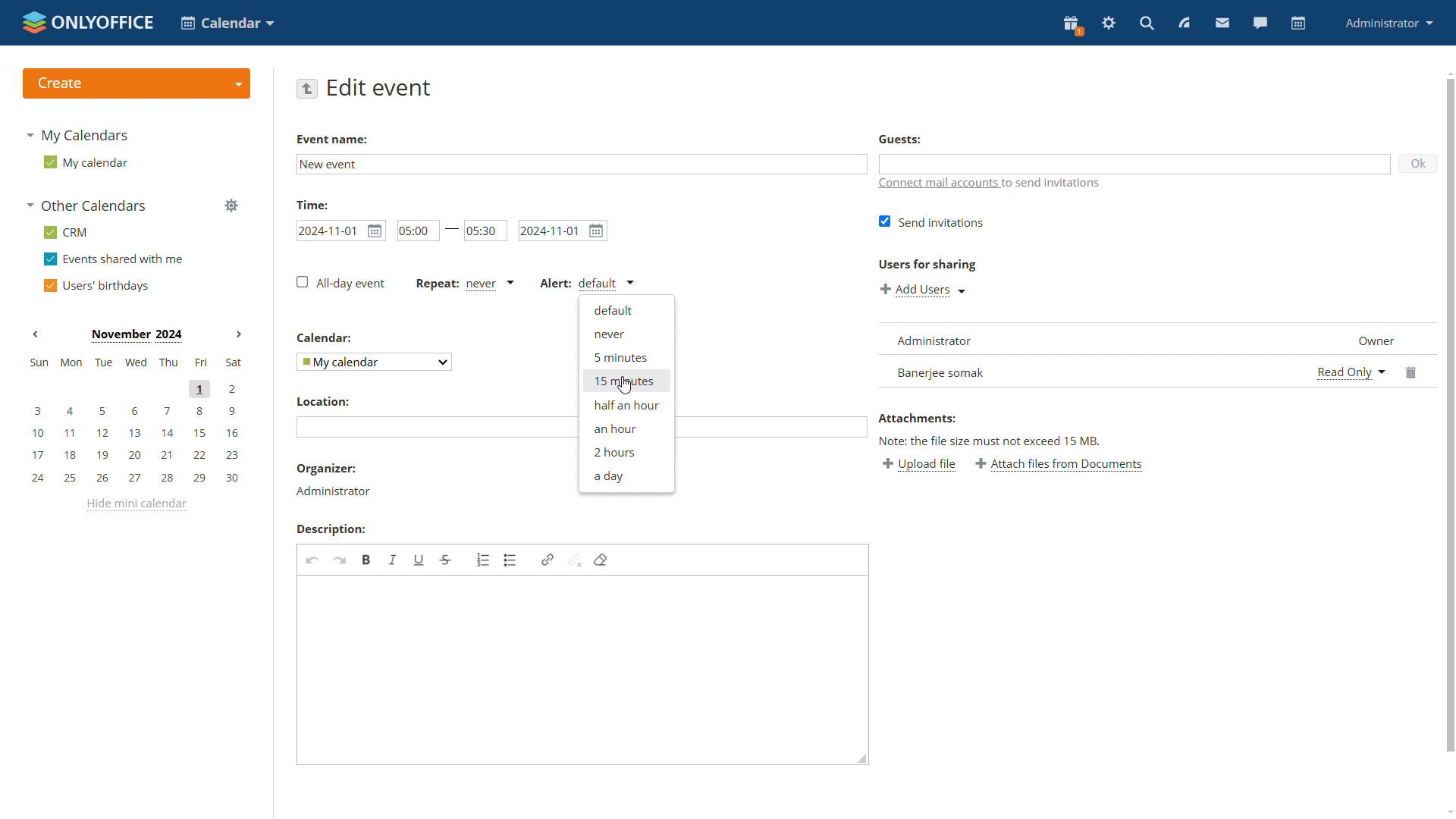  Describe the element at coordinates (919, 419) in the screenshot. I see `Attachments` at that location.